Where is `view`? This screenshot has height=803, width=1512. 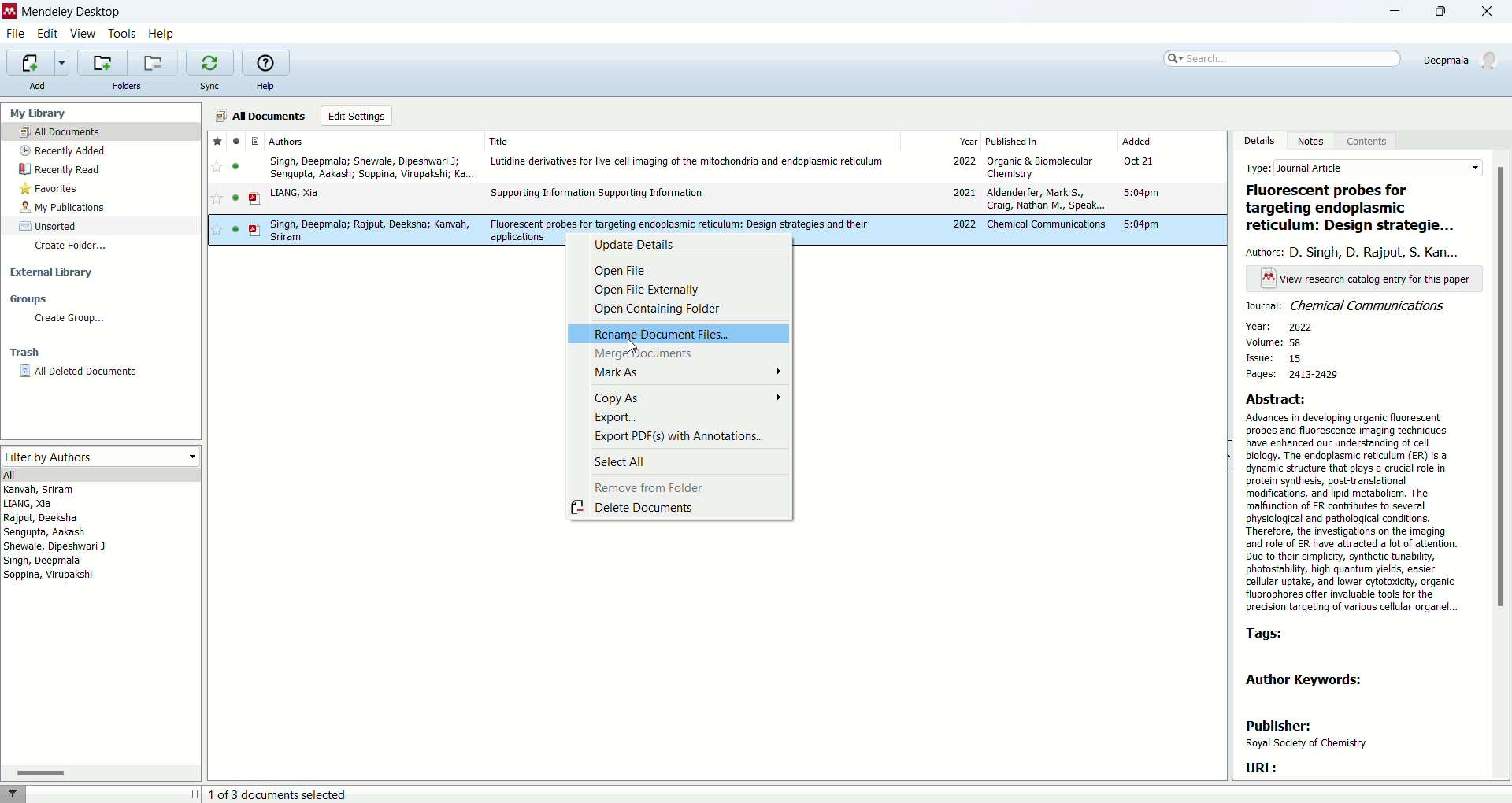 view is located at coordinates (84, 32).